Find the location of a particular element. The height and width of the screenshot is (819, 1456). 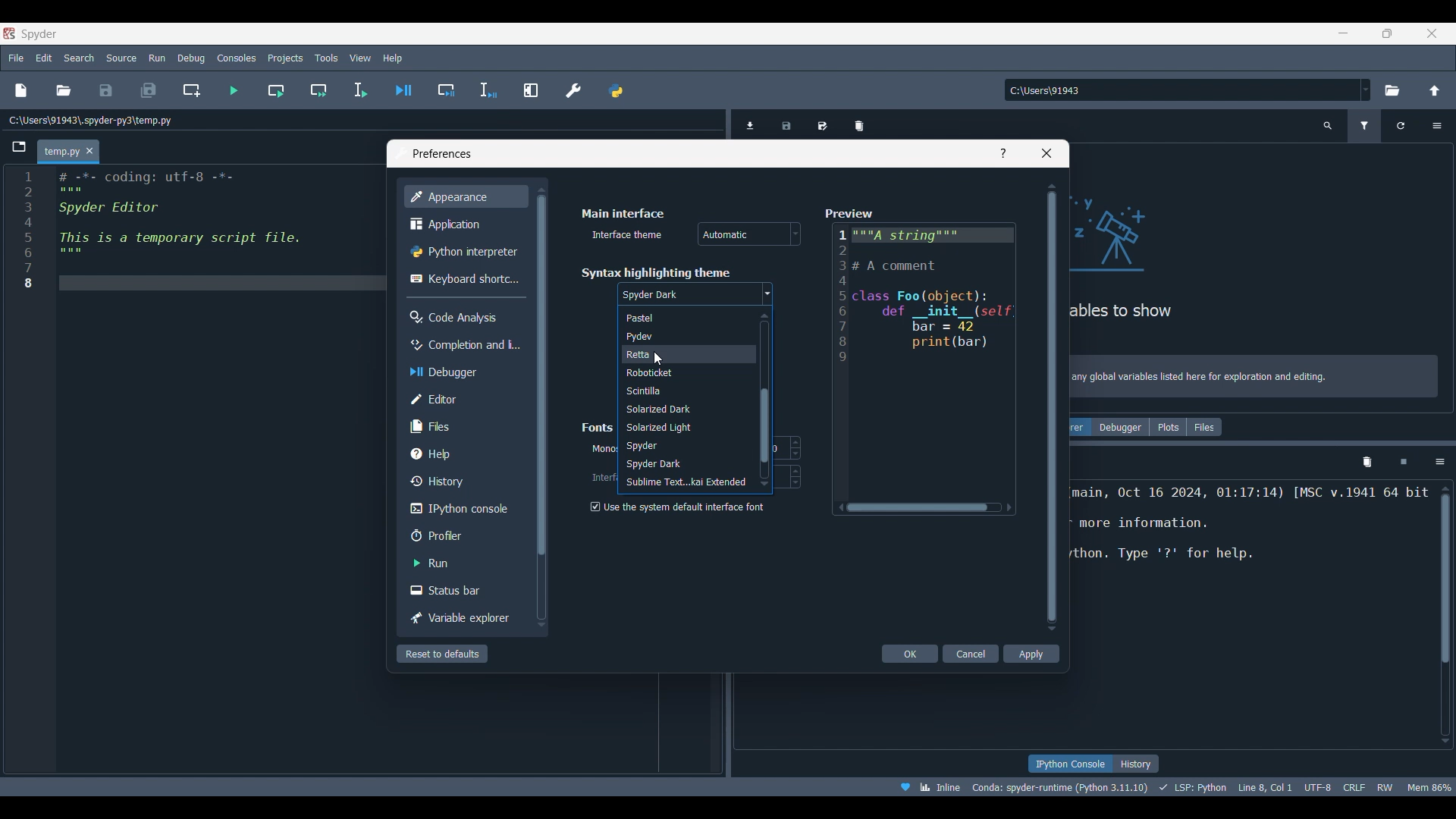

scroll bar is located at coordinates (1442, 613).